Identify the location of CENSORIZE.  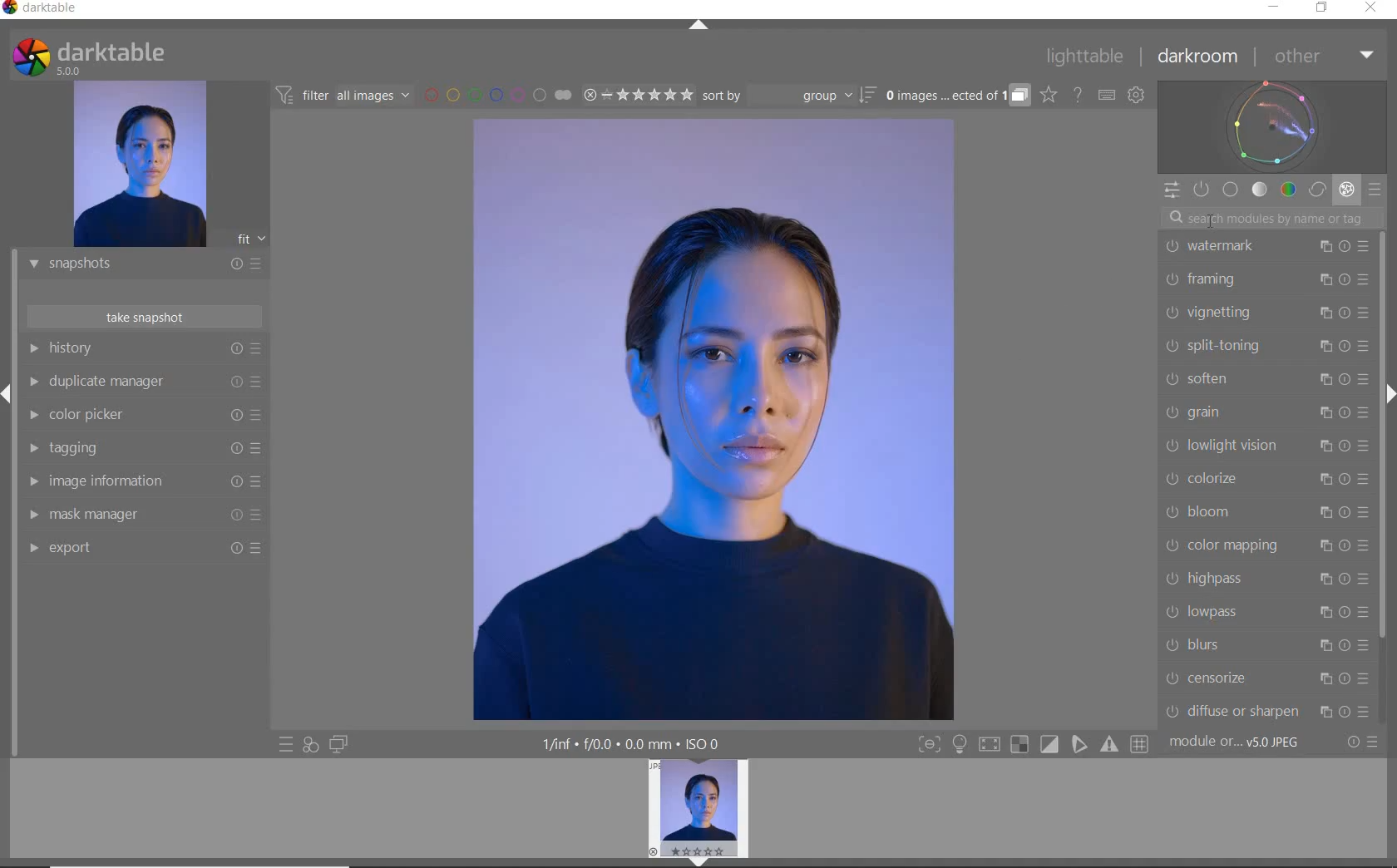
(1266, 678).